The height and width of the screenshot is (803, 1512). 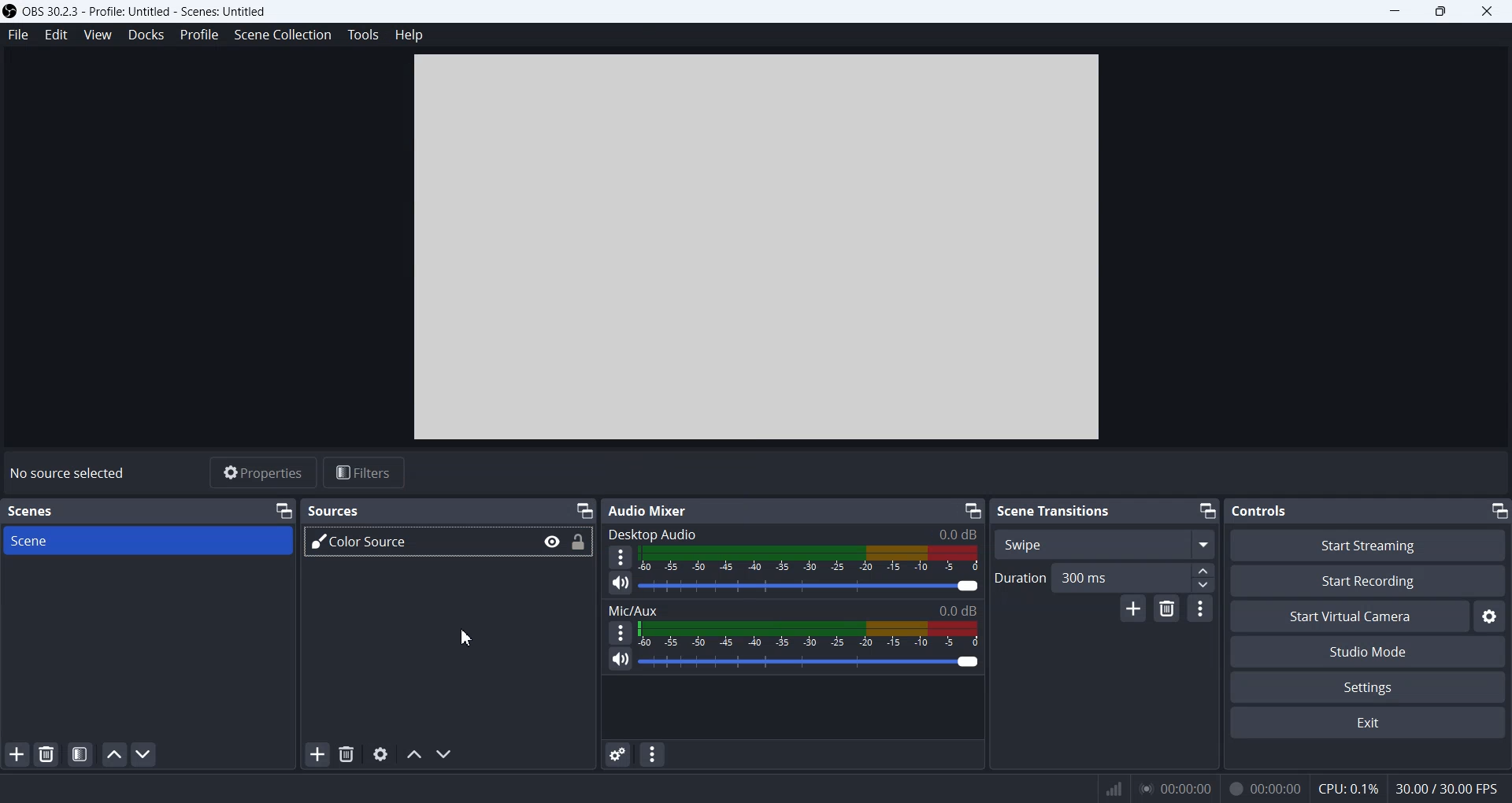 What do you see at coordinates (150, 541) in the screenshot?
I see `Scene` at bounding box center [150, 541].